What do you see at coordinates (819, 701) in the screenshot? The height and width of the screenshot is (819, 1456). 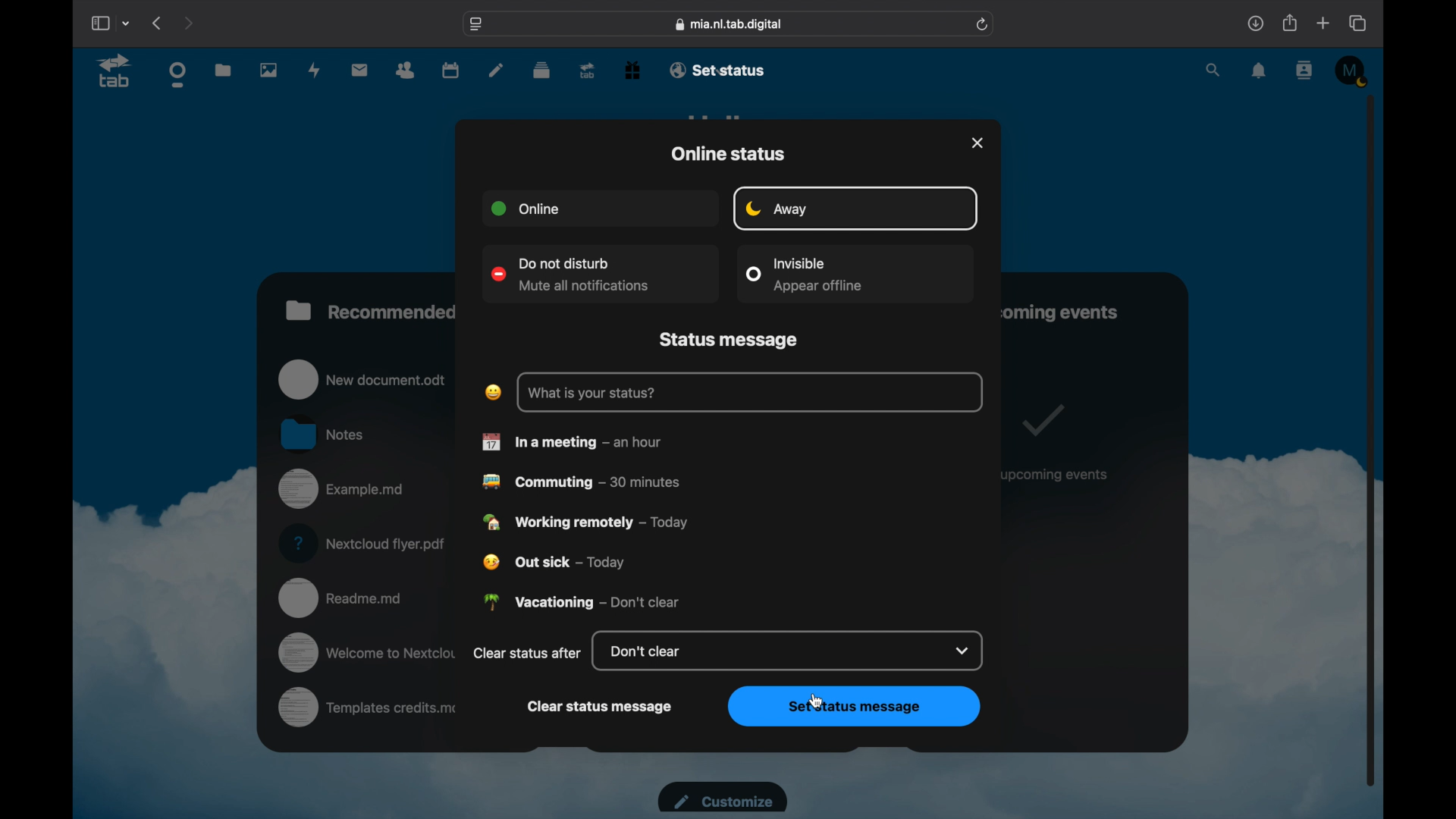 I see `cursor` at bounding box center [819, 701].